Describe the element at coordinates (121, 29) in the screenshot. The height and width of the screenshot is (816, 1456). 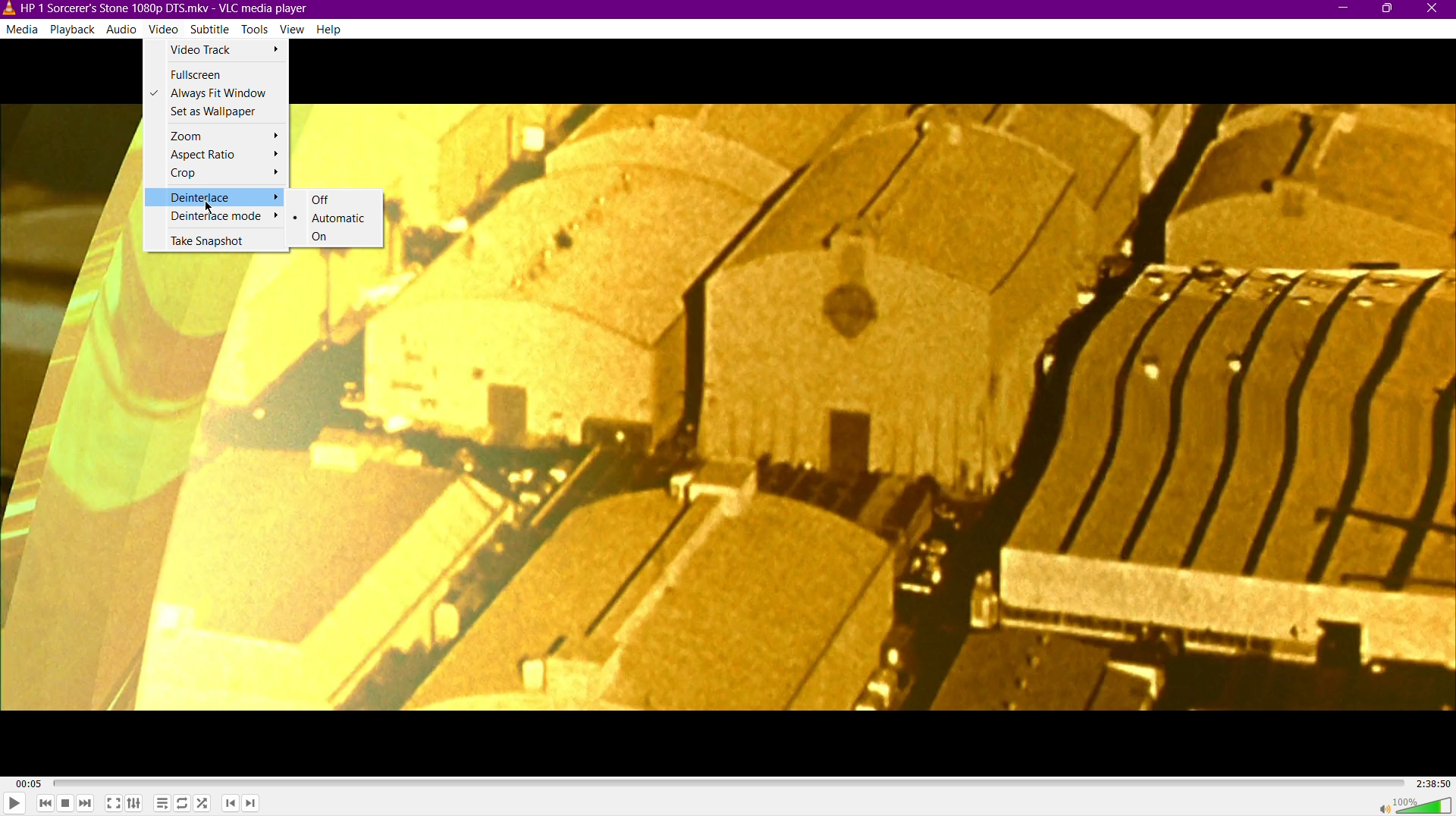
I see `Audio` at that location.